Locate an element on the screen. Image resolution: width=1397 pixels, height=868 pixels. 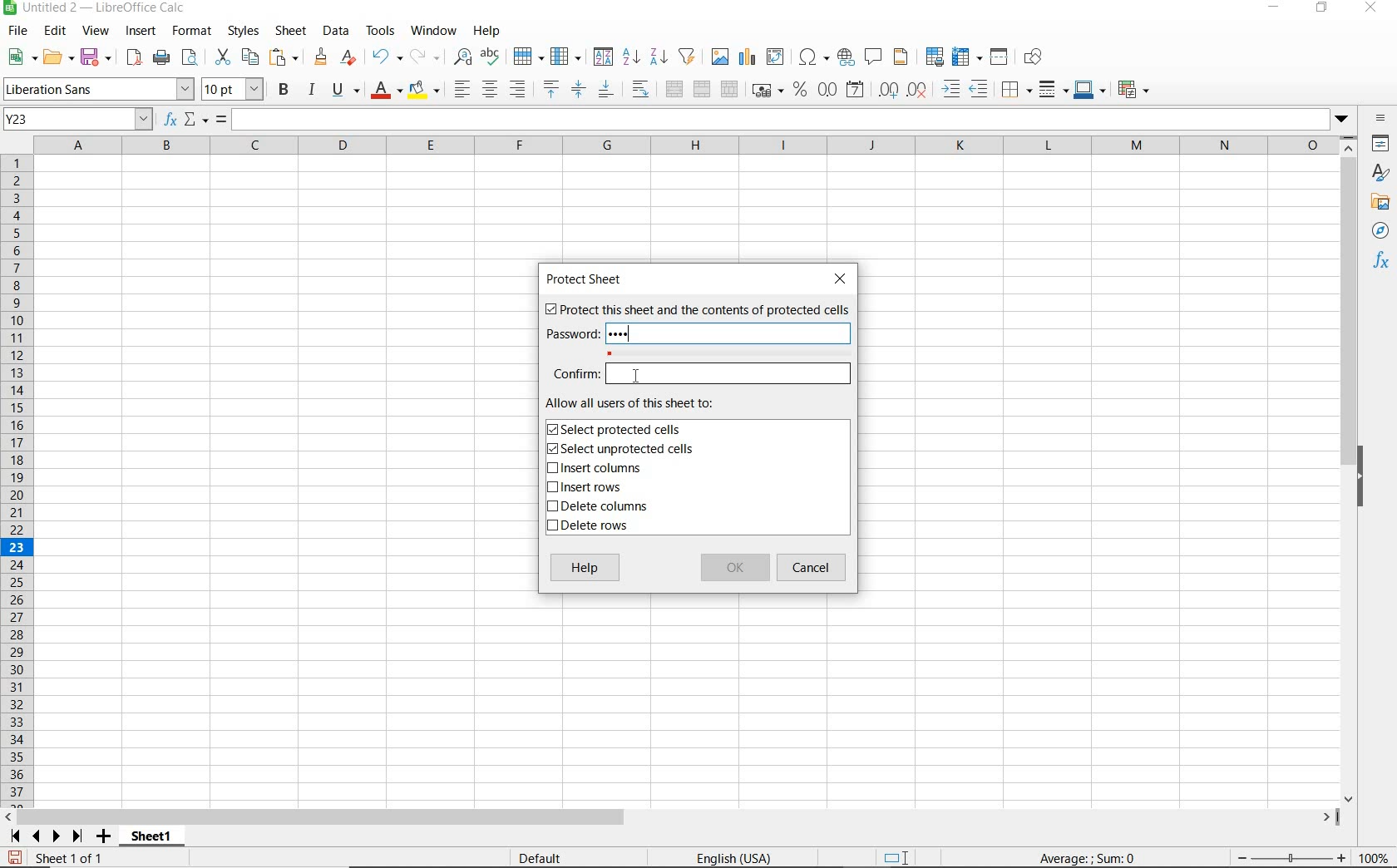
TOOLS is located at coordinates (379, 31).